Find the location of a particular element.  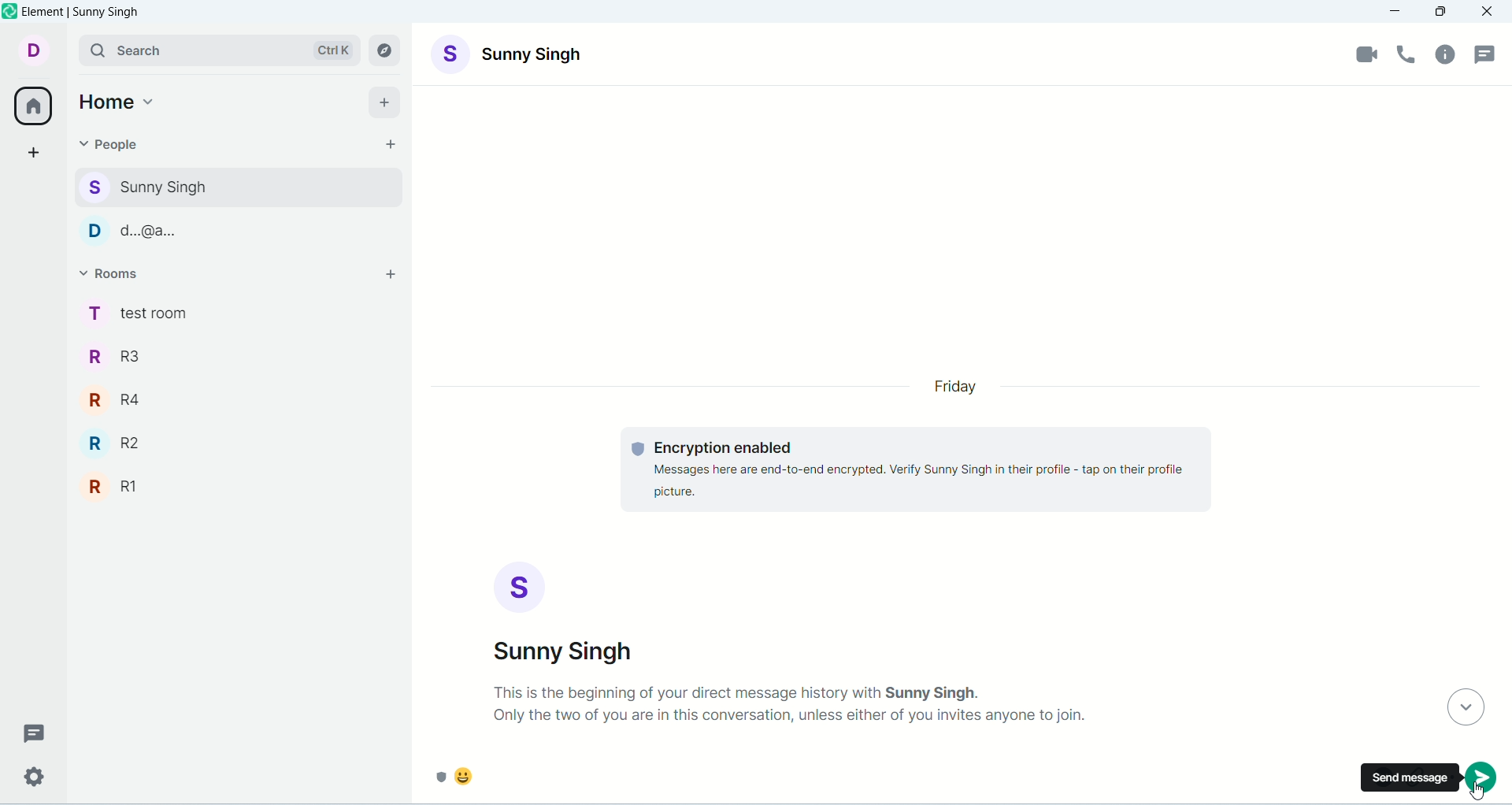

start chat is located at coordinates (387, 144).